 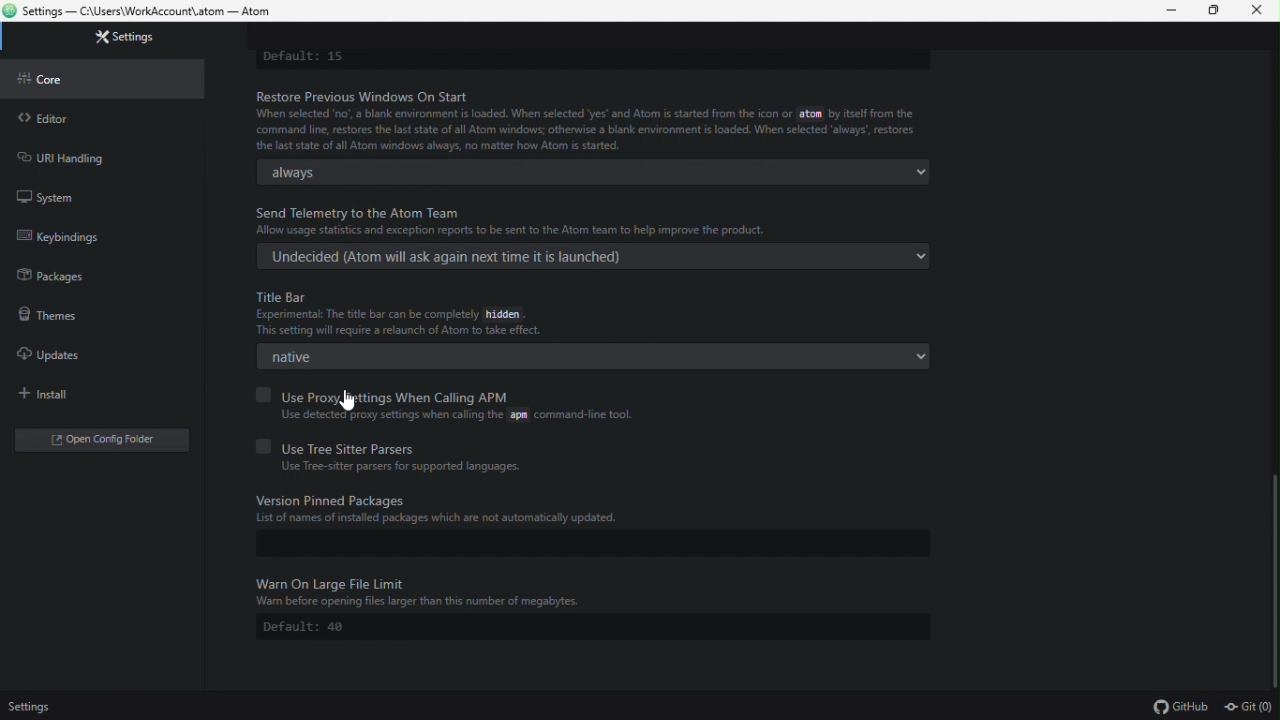 I want to click on Use ProxyJlettings When Calling APM, so click(x=385, y=396).